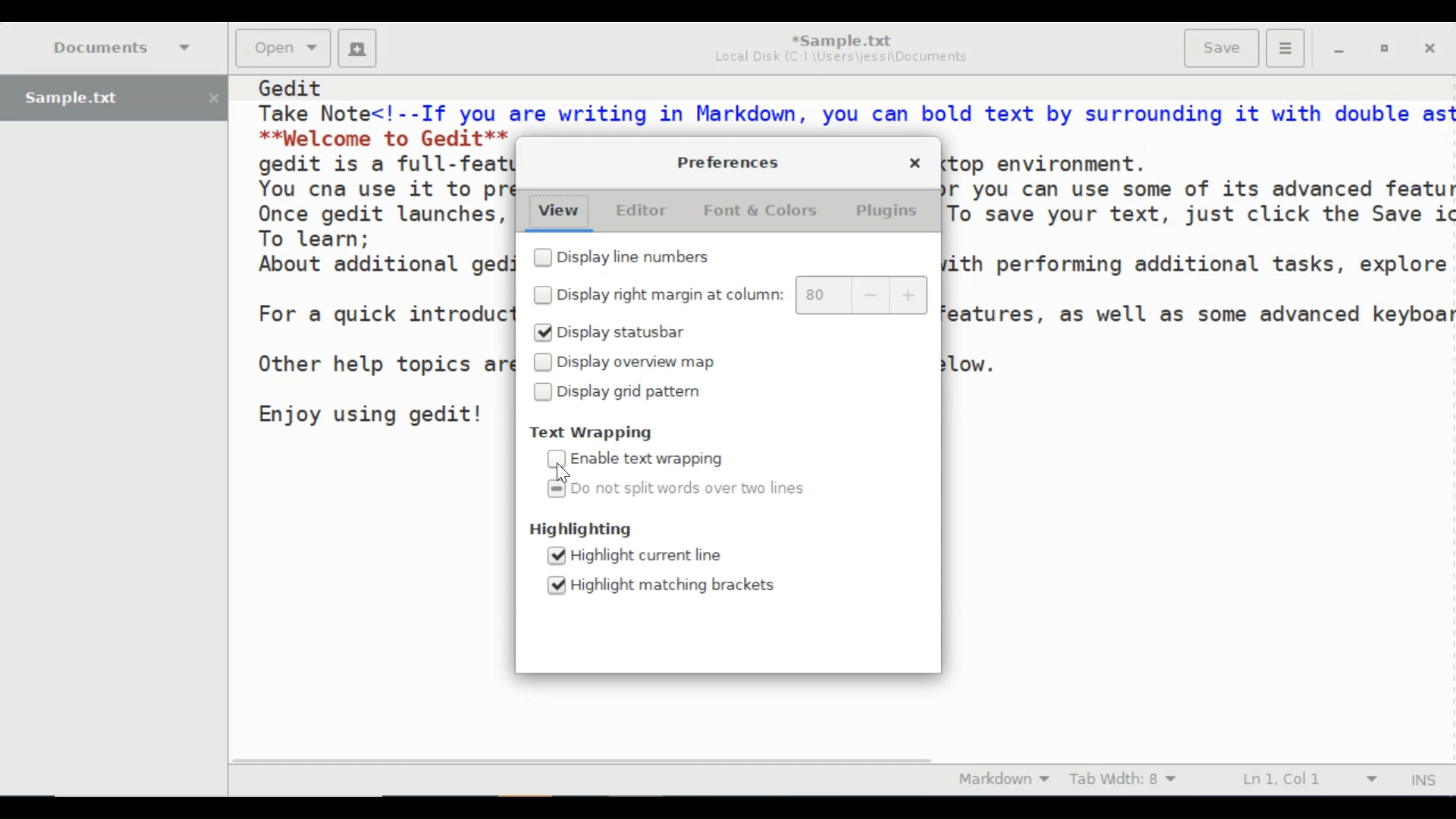  What do you see at coordinates (1341, 47) in the screenshot?
I see `minimize` at bounding box center [1341, 47].